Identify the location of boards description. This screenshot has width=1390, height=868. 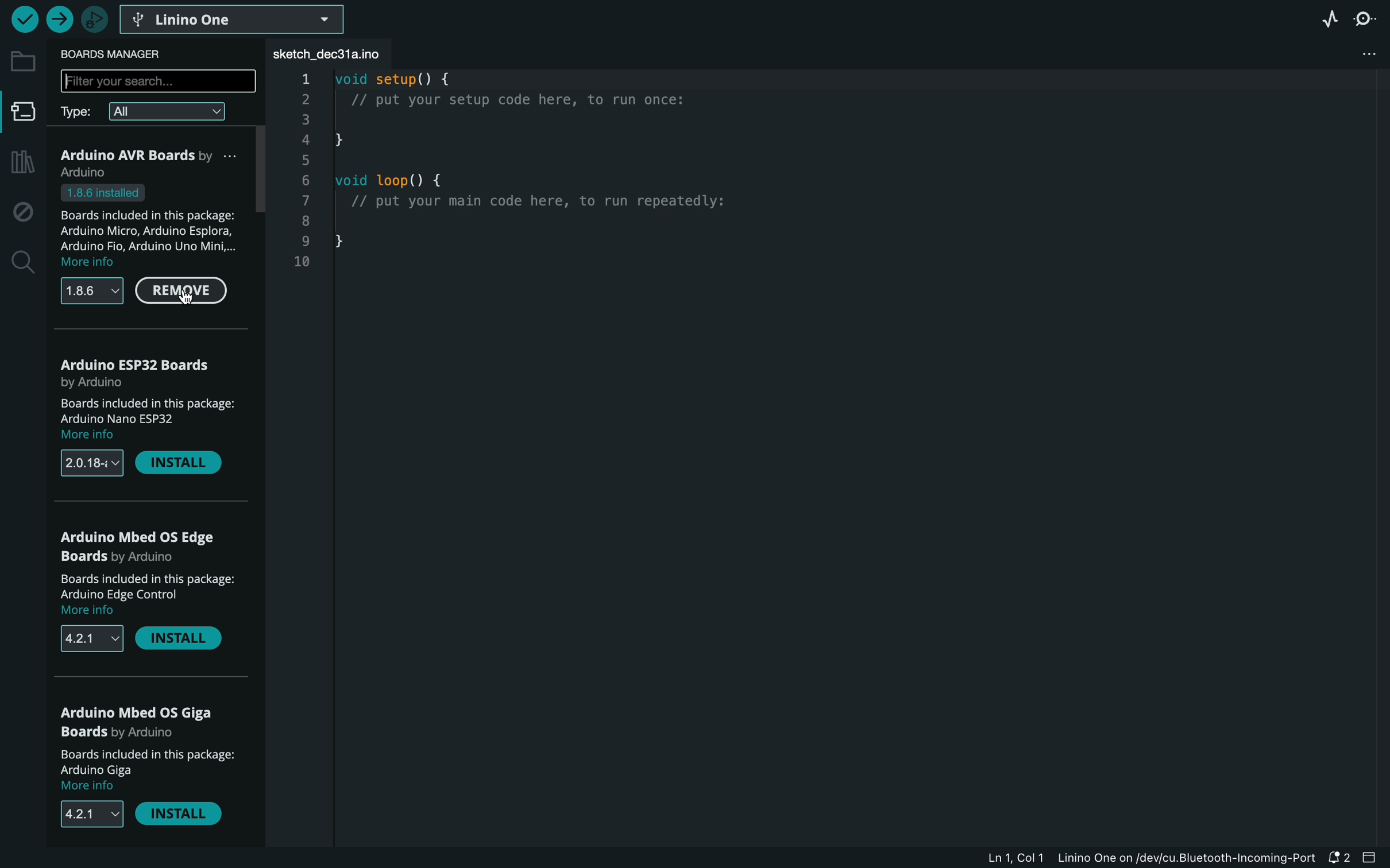
(148, 219).